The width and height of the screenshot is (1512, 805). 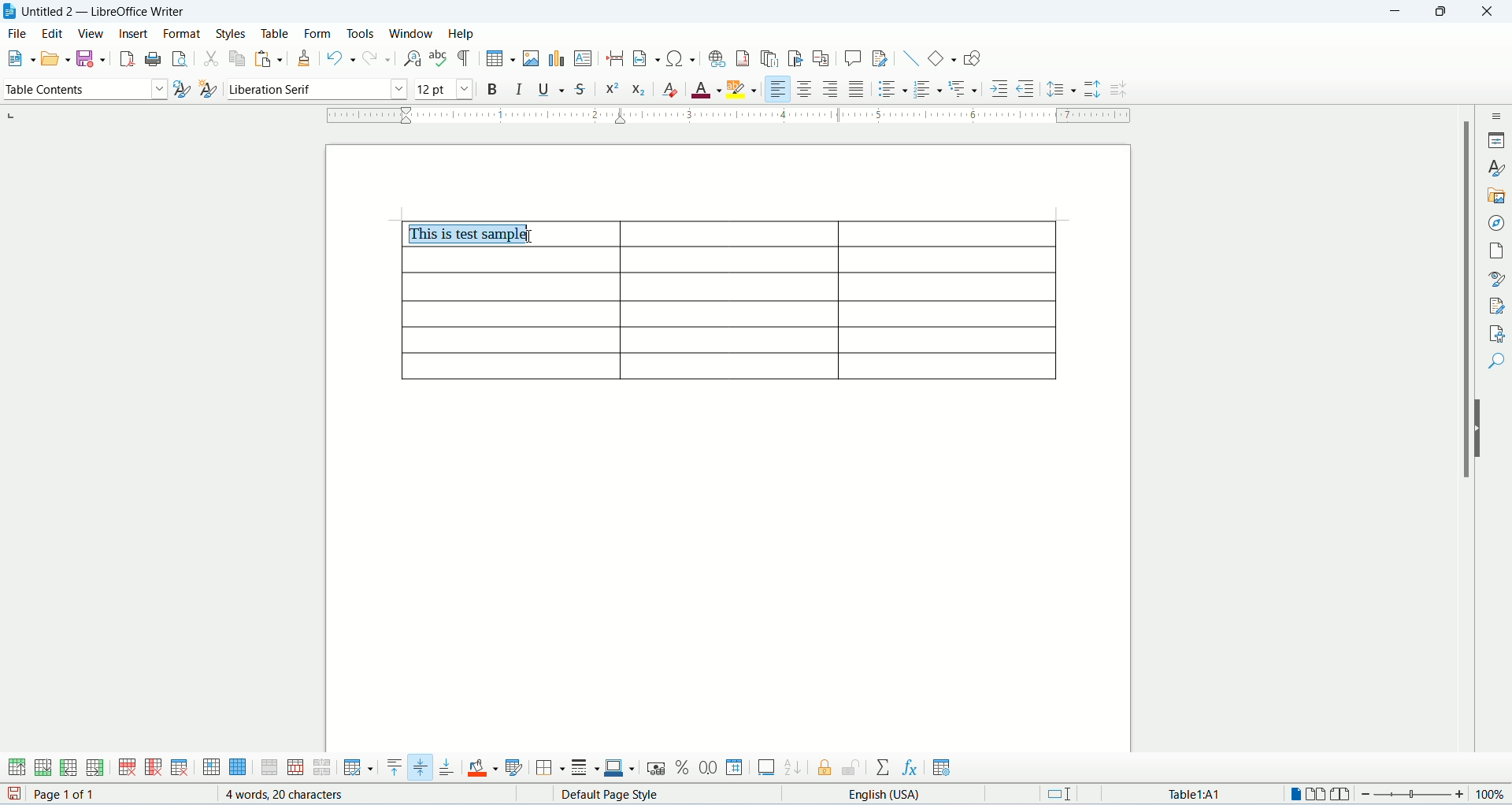 What do you see at coordinates (413, 58) in the screenshot?
I see `find and replace` at bounding box center [413, 58].